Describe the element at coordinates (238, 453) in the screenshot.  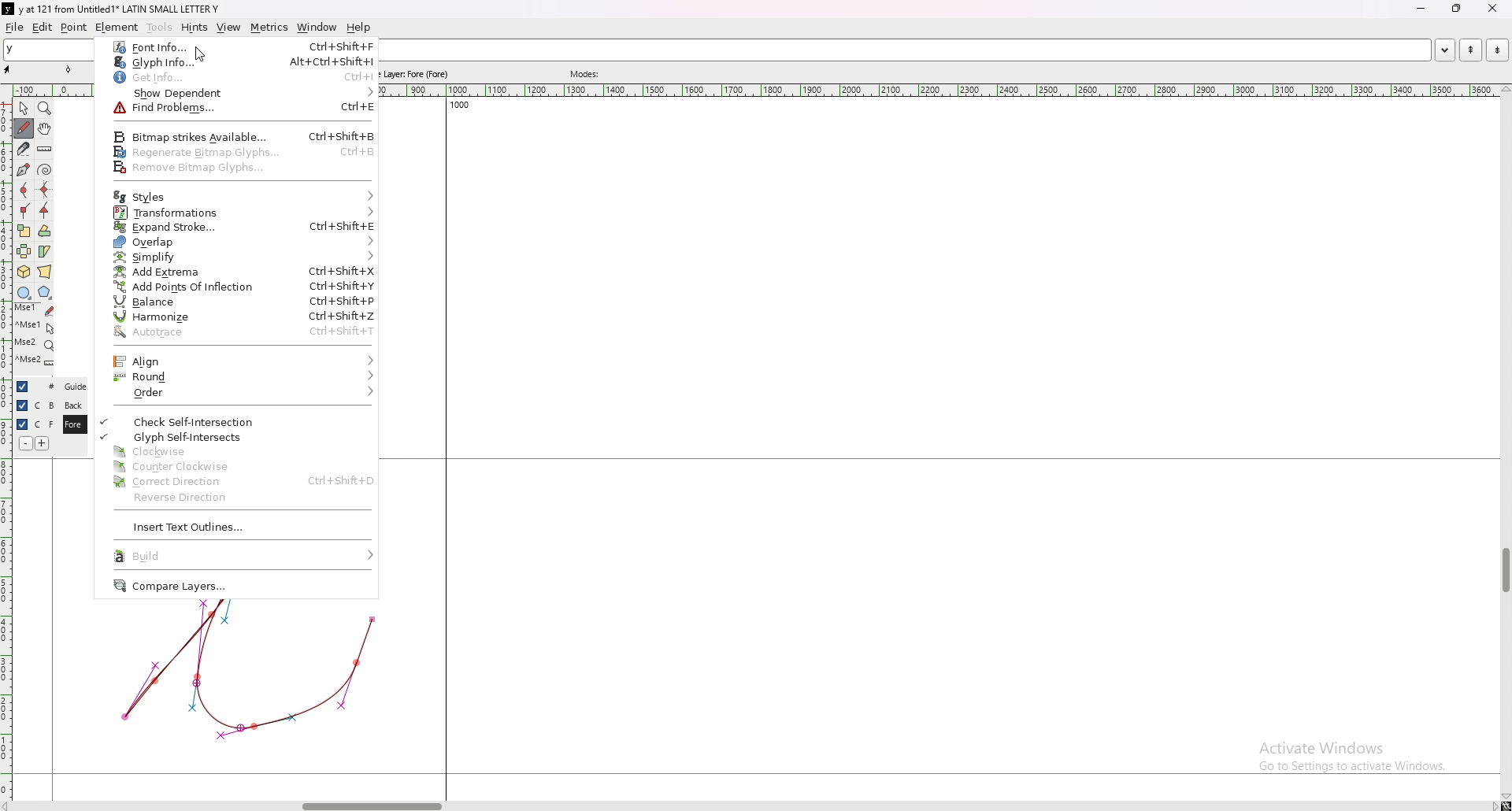
I see `clockwise` at that location.